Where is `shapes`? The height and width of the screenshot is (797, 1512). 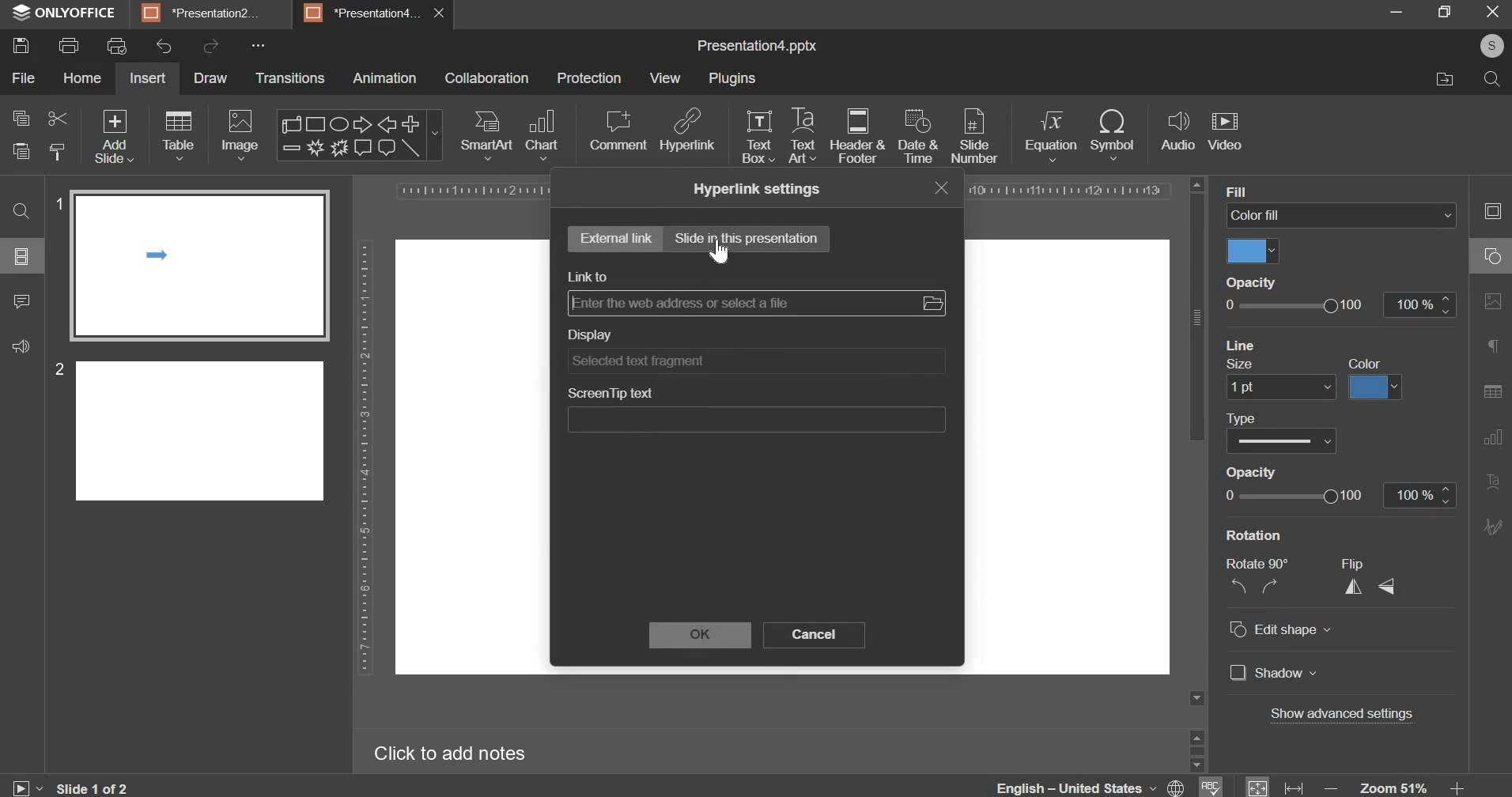 shapes is located at coordinates (359, 134).